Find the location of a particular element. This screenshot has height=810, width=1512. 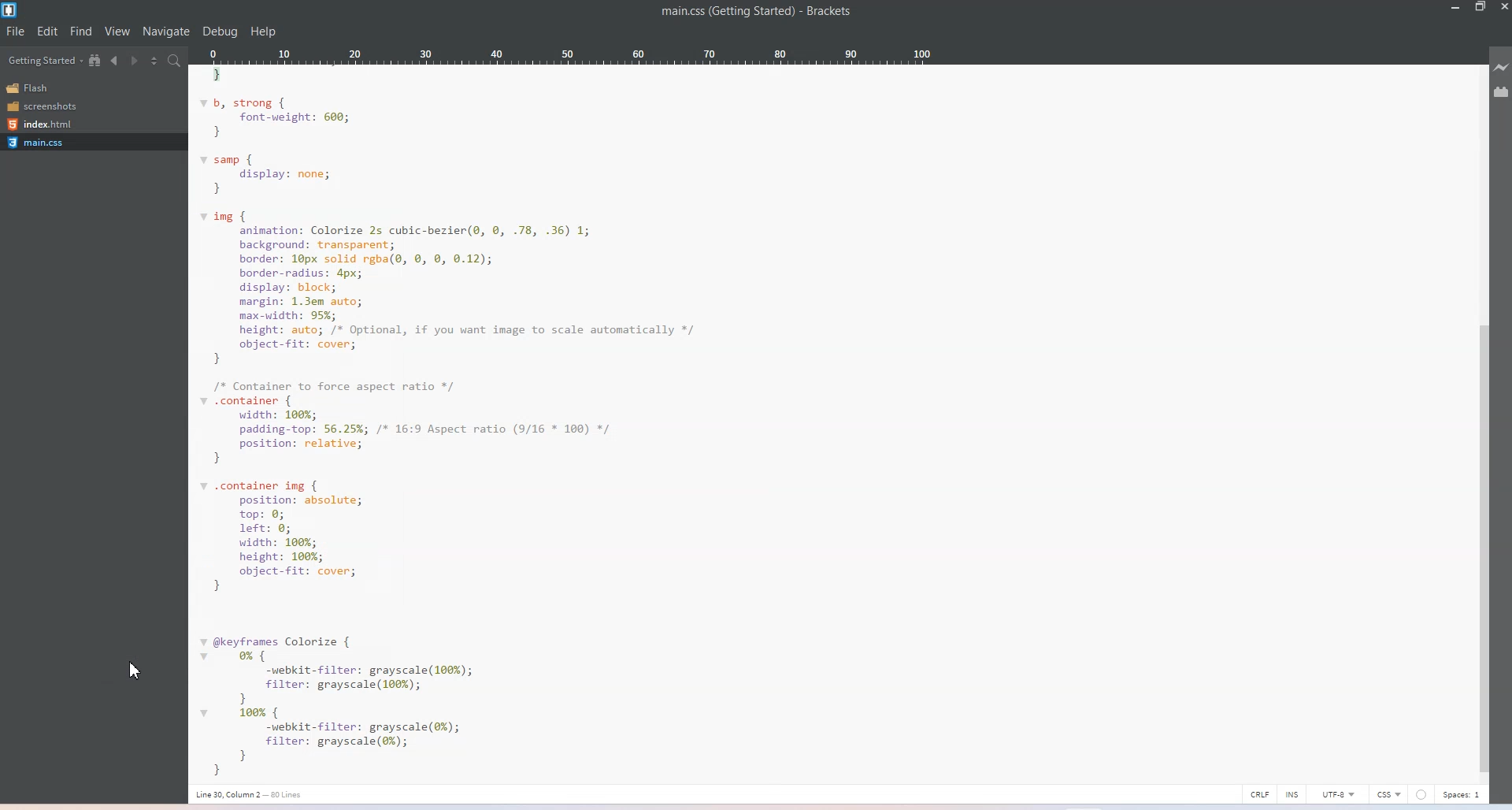

UTF-8 is located at coordinates (1335, 794).